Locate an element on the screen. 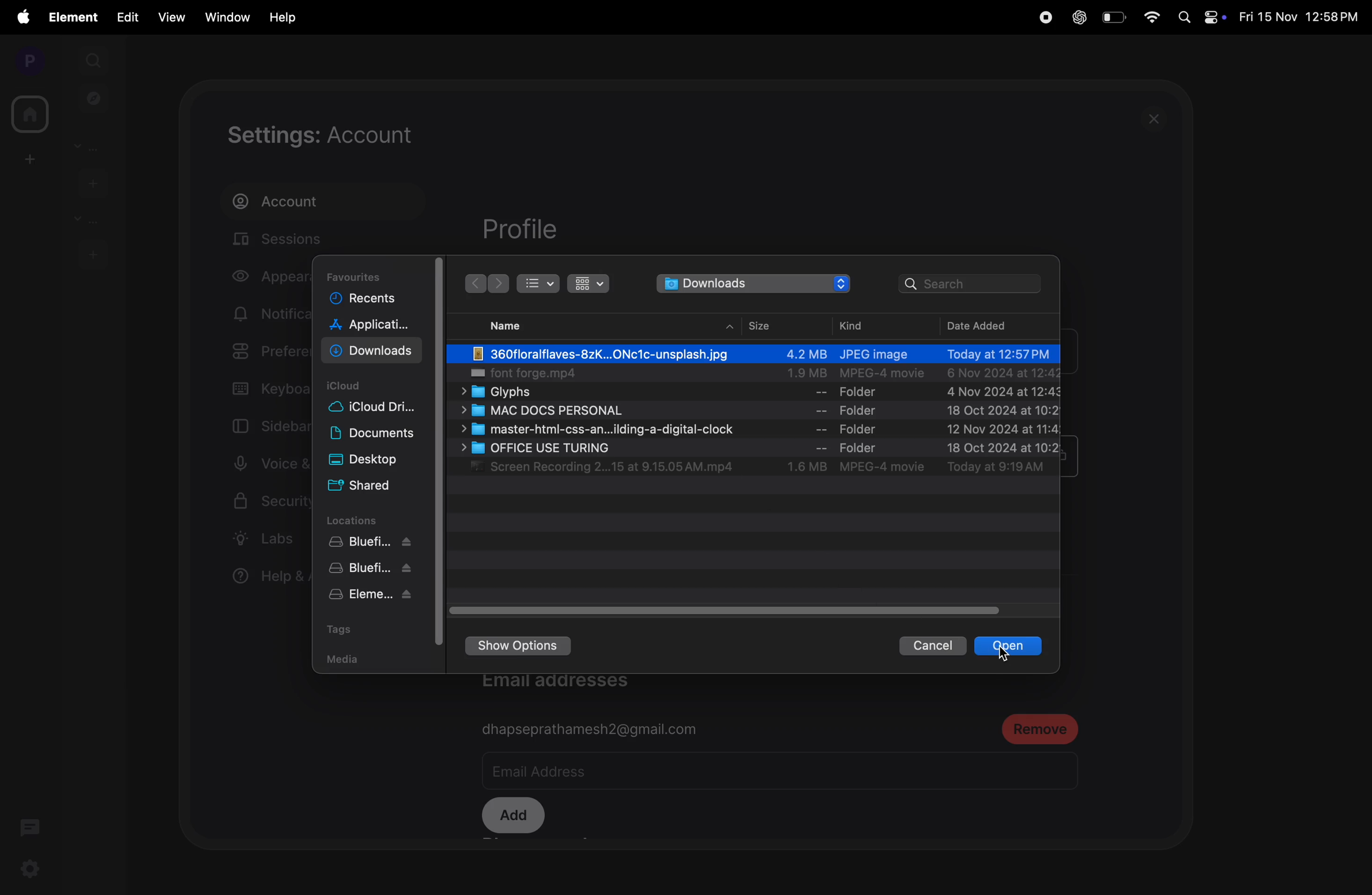  glyph is located at coordinates (756, 394).